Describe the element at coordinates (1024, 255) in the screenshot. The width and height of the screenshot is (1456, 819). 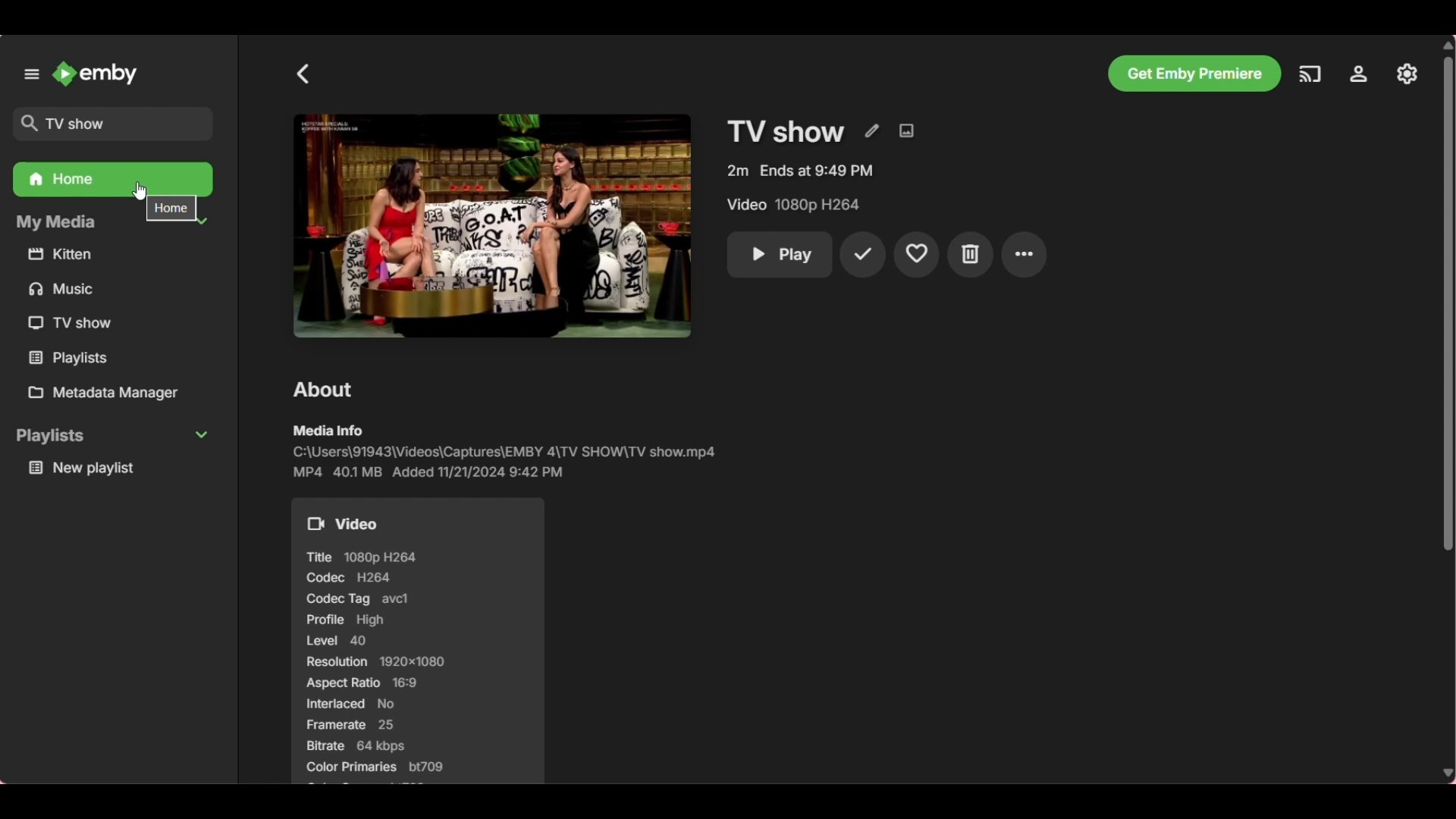
I see `More settings` at that location.